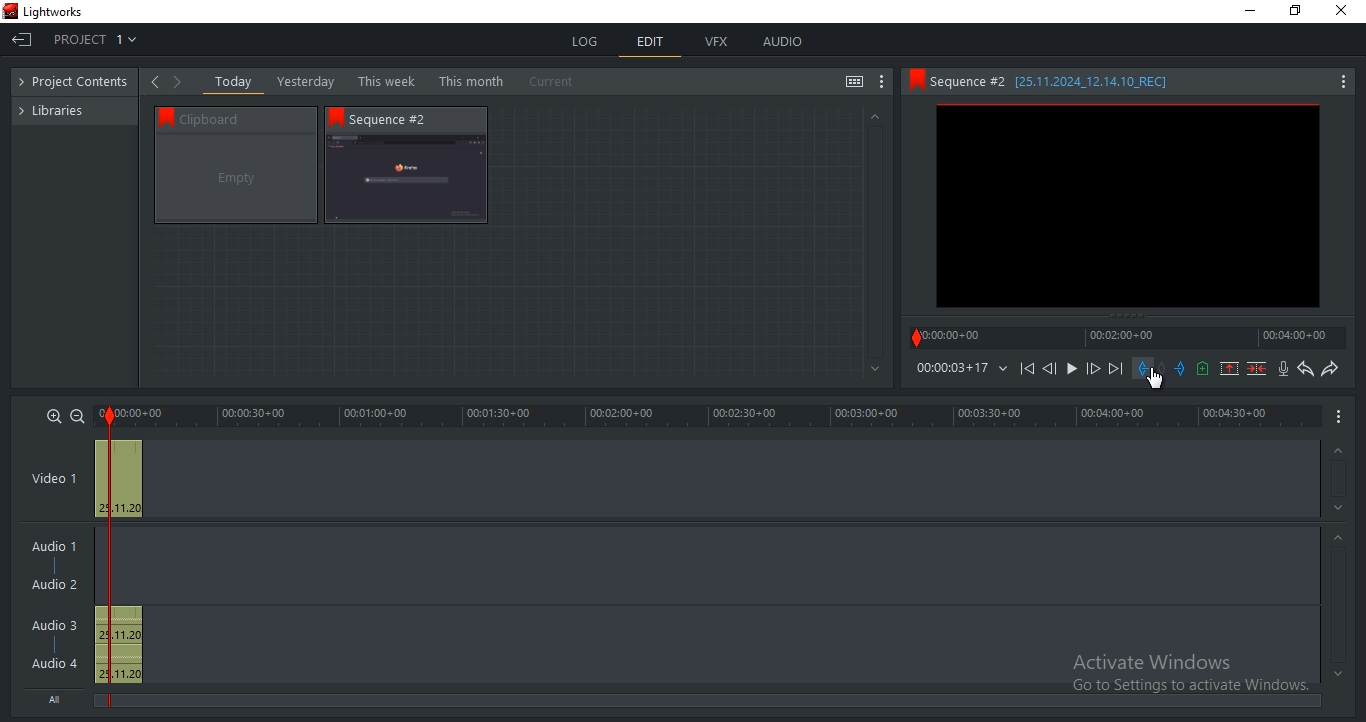  What do you see at coordinates (1128, 208) in the screenshot?
I see `sequence 2` at bounding box center [1128, 208].